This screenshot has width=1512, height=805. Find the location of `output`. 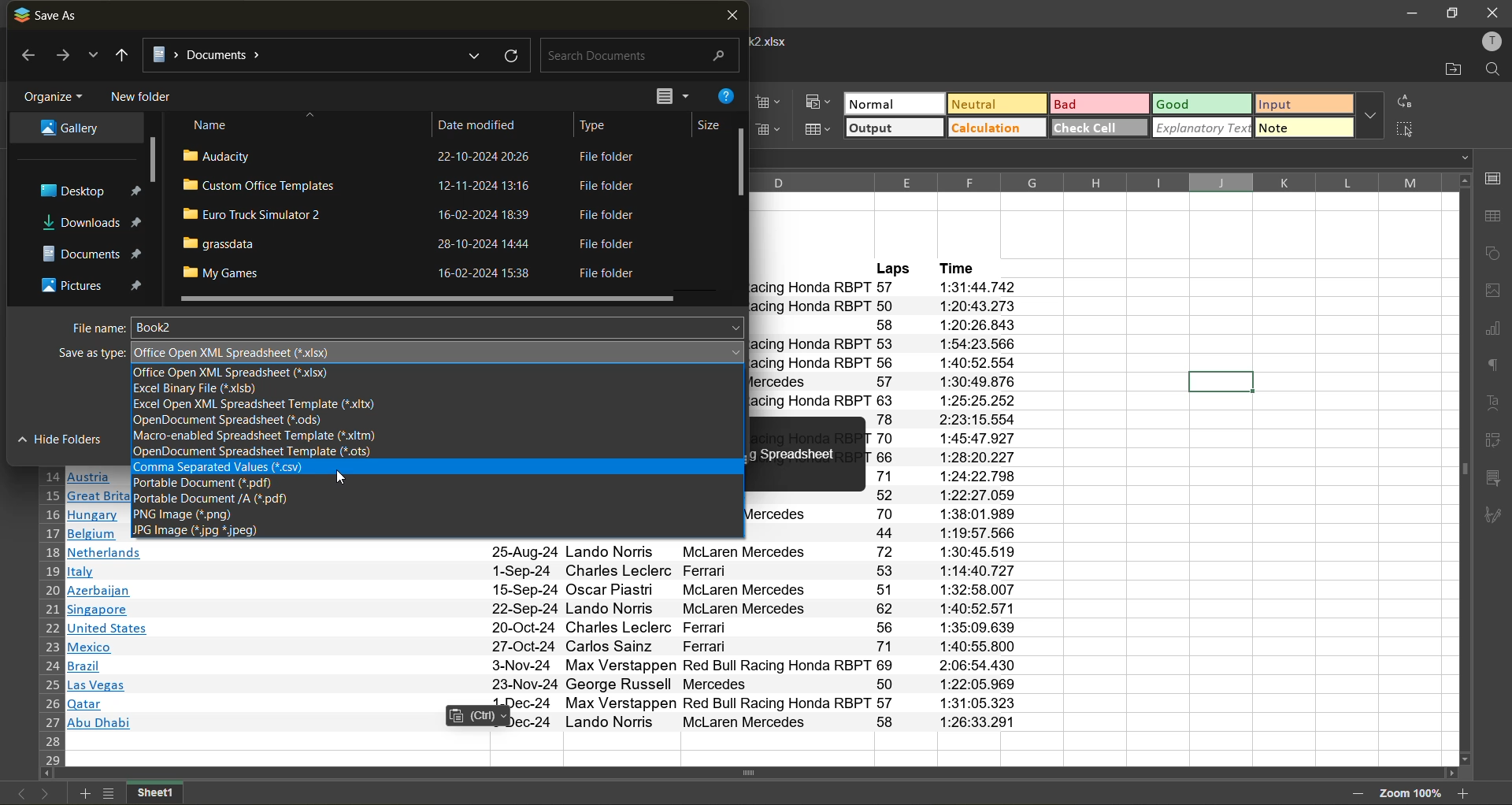

output is located at coordinates (894, 128).